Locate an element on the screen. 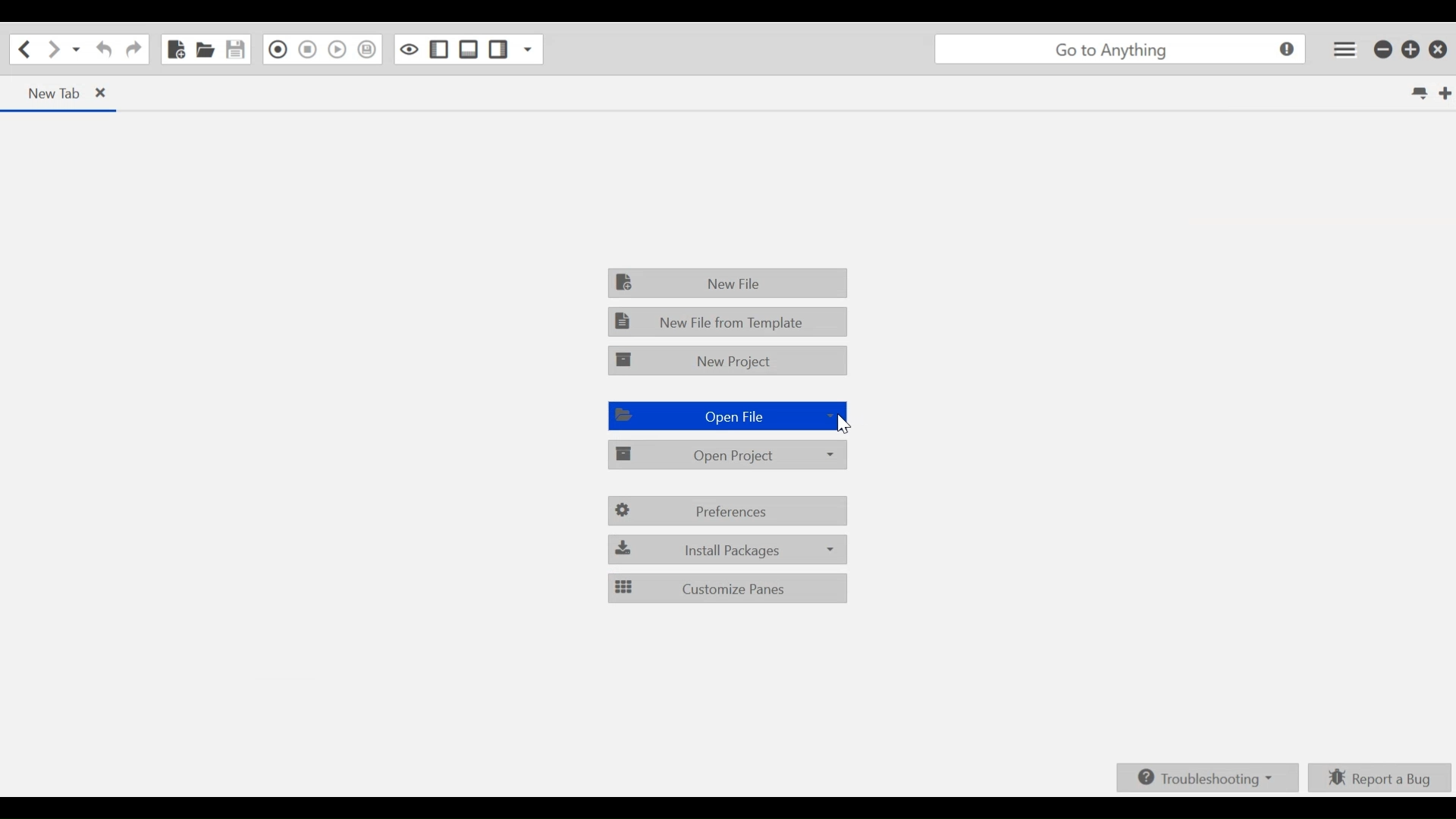  Recording in Macro is located at coordinates (276, 50).